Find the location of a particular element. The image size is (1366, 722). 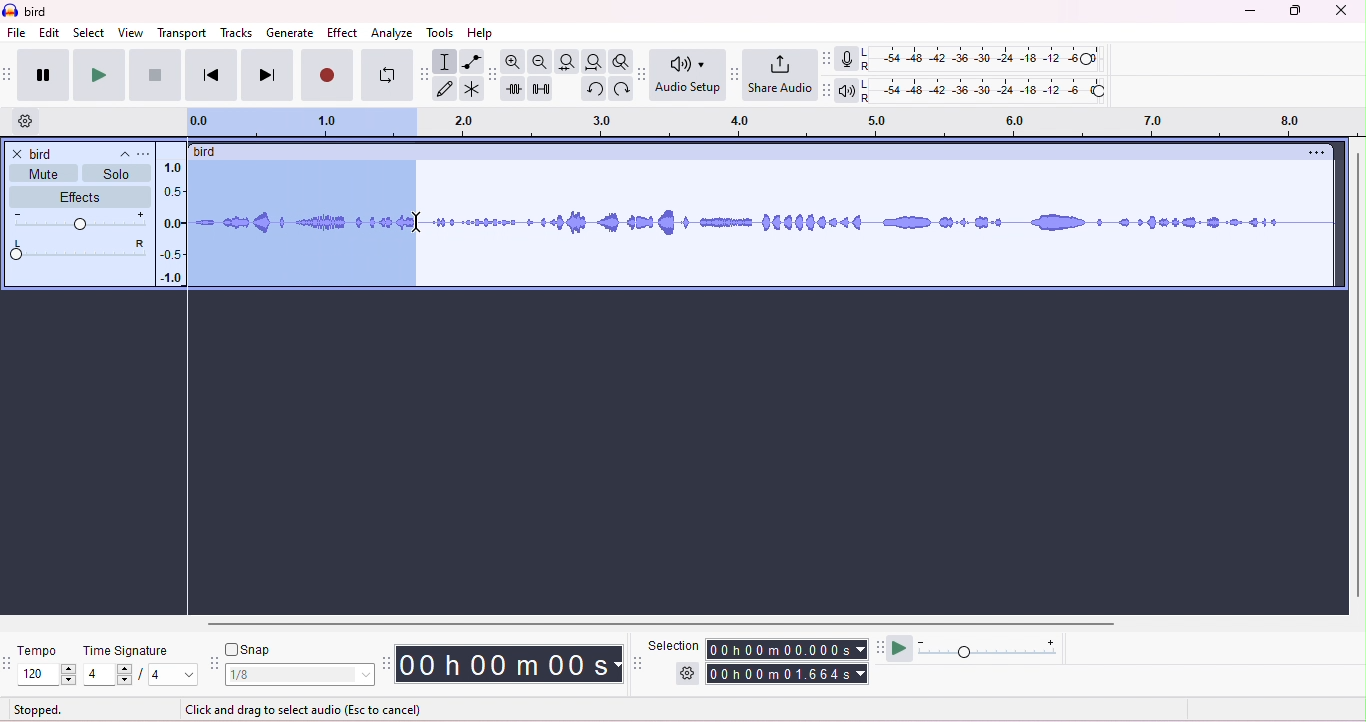

logo is located at coordinates (11, 12).